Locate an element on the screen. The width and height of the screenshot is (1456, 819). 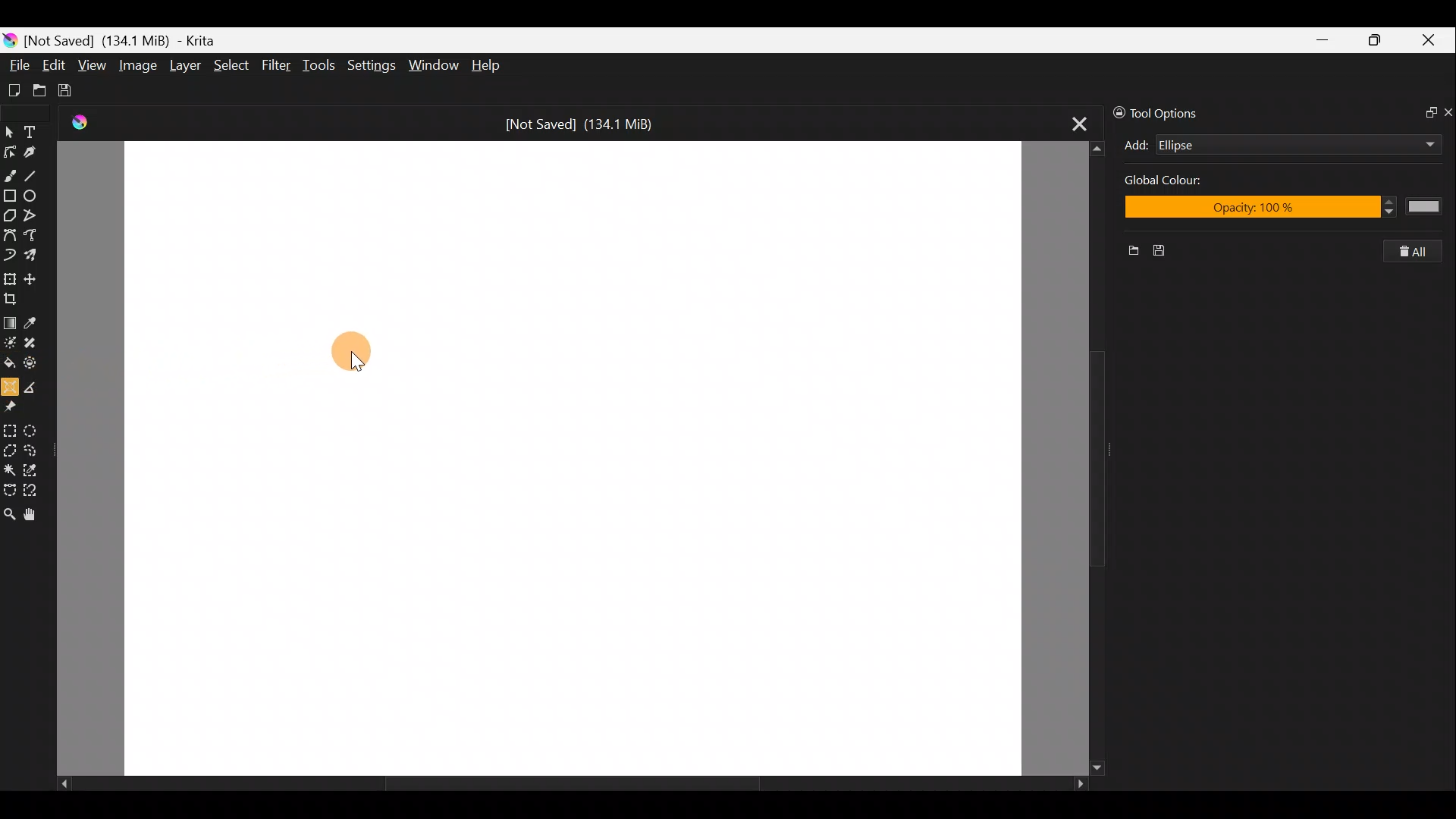
Cursor on canvas is located at coordinates (355, 350).